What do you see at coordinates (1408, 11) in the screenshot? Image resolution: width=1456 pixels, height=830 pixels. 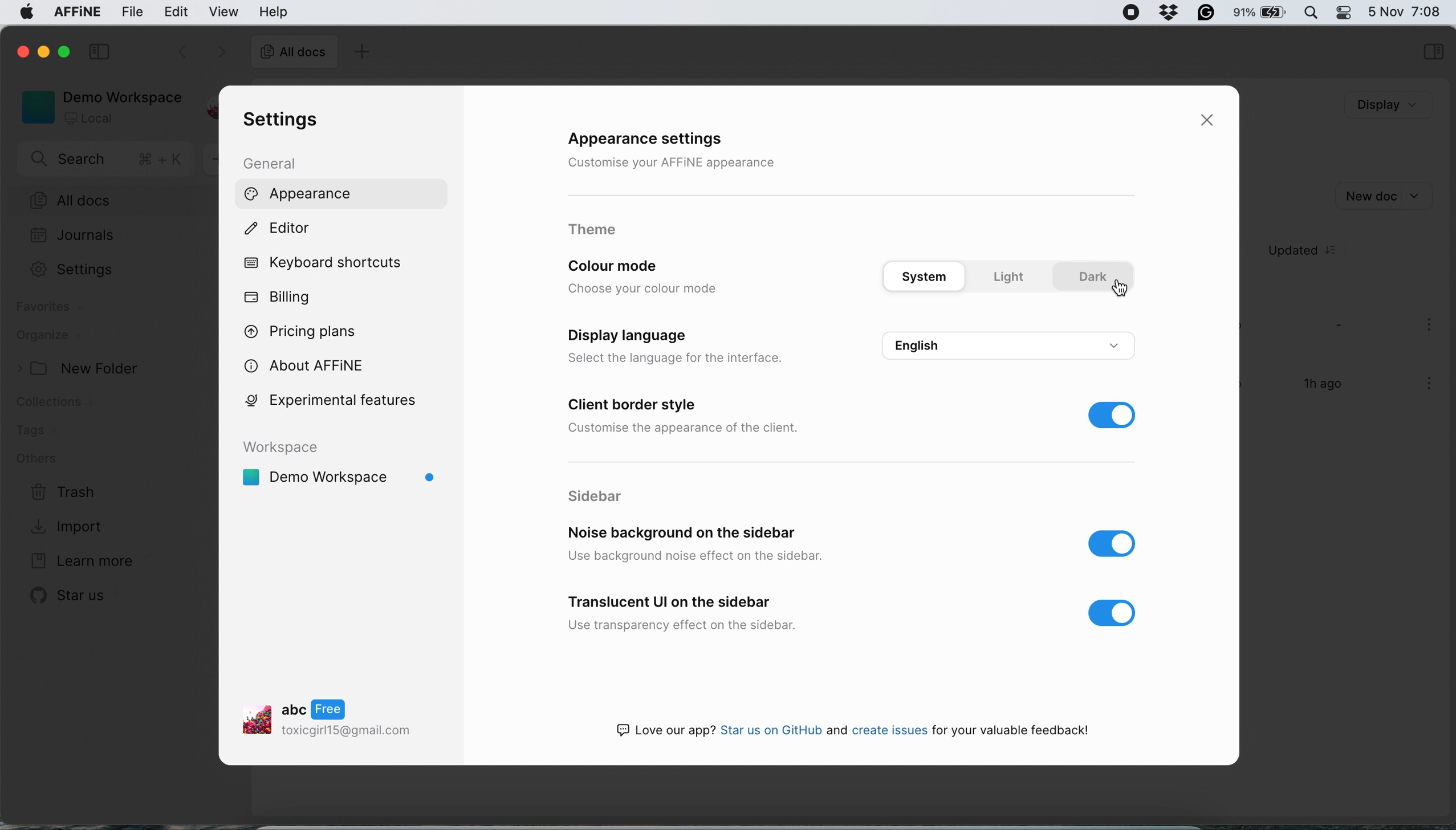 I see `date and time` at bounding box center [1408, 11].